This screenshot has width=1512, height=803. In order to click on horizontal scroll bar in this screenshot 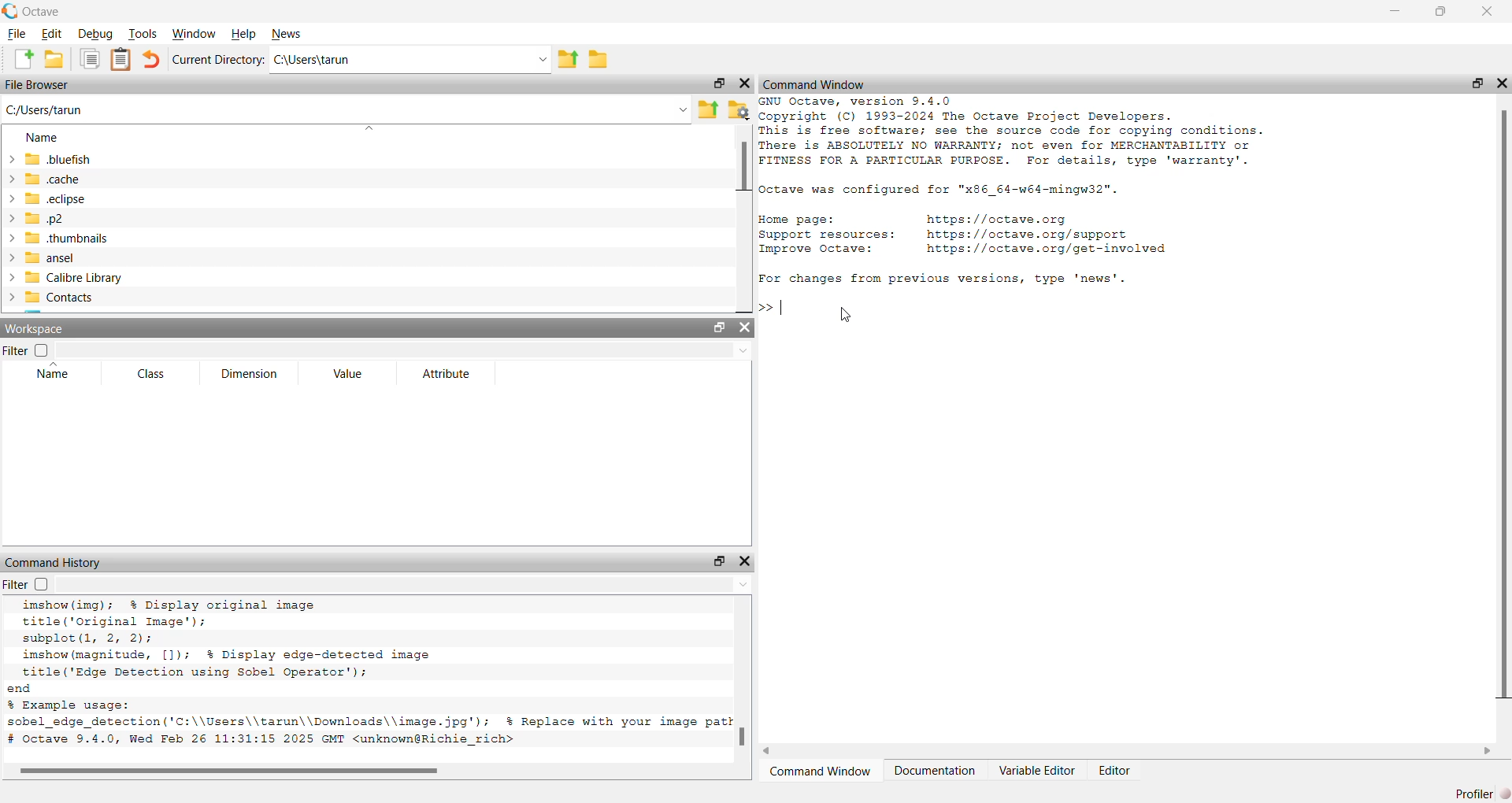, I will do `click(1132, 753)`.